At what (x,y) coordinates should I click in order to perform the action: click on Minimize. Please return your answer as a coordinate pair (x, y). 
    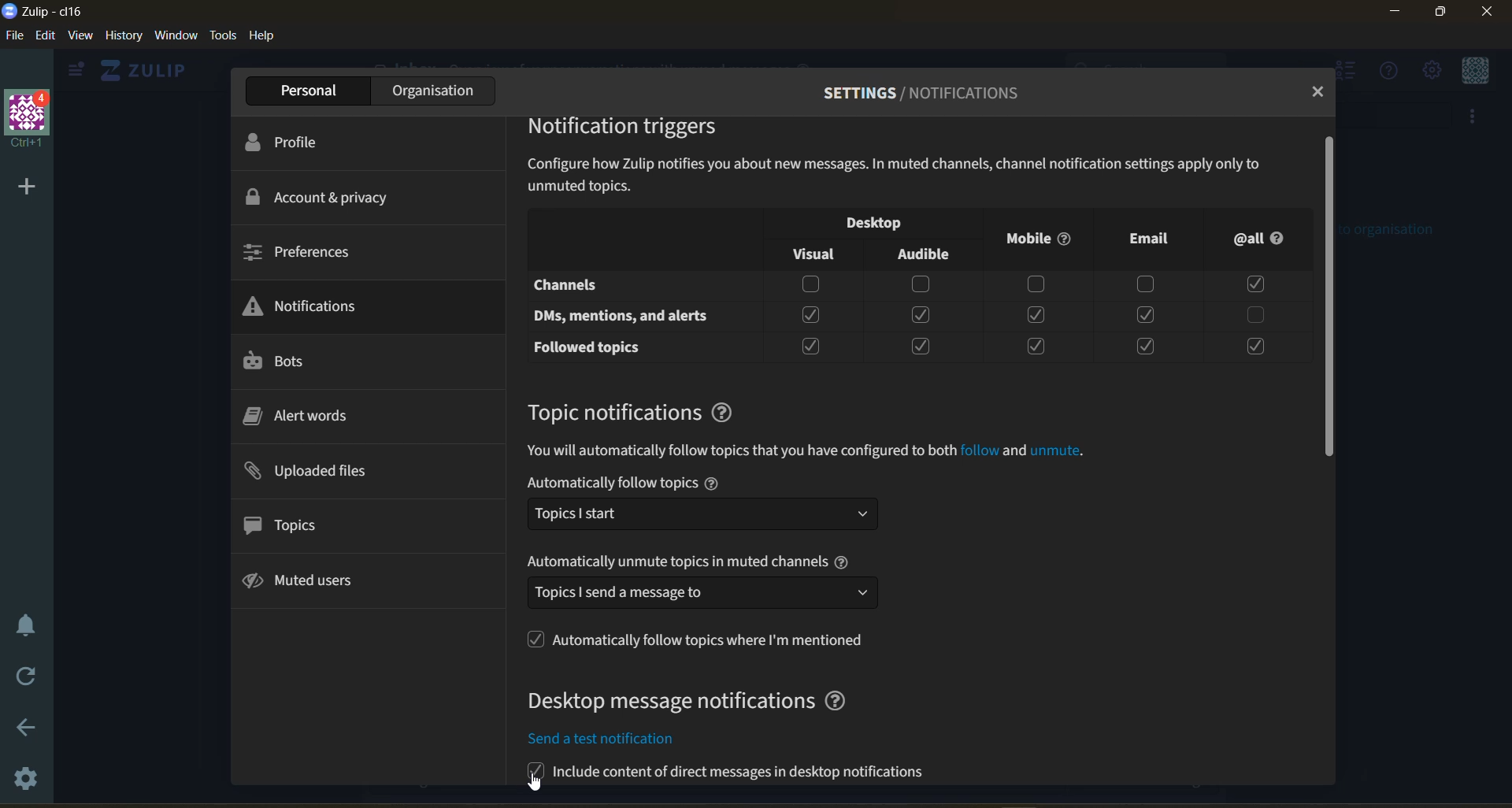
    Looking at the image, I should click on (1395, 13).